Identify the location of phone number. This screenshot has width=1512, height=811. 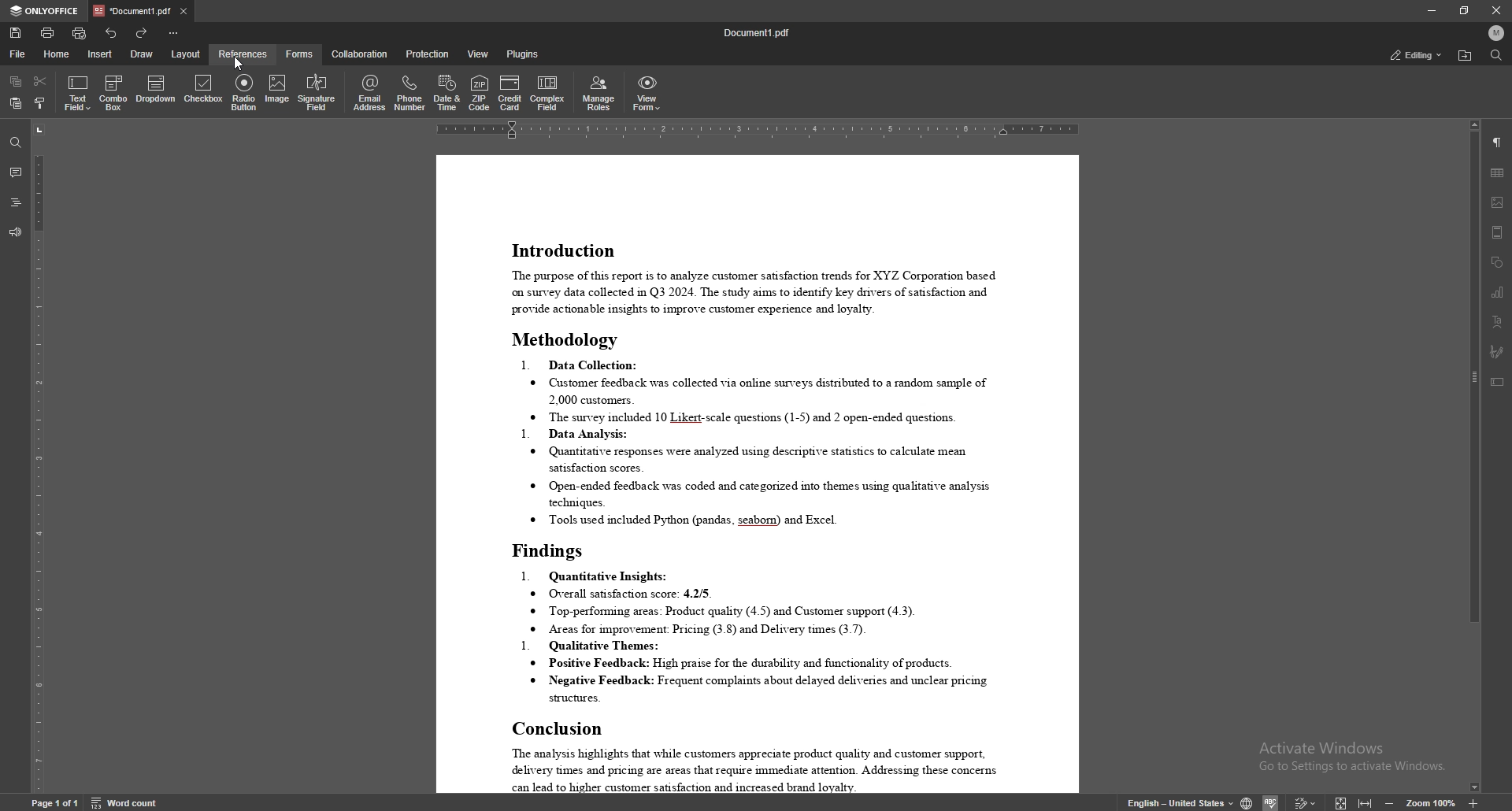
(409, 93).